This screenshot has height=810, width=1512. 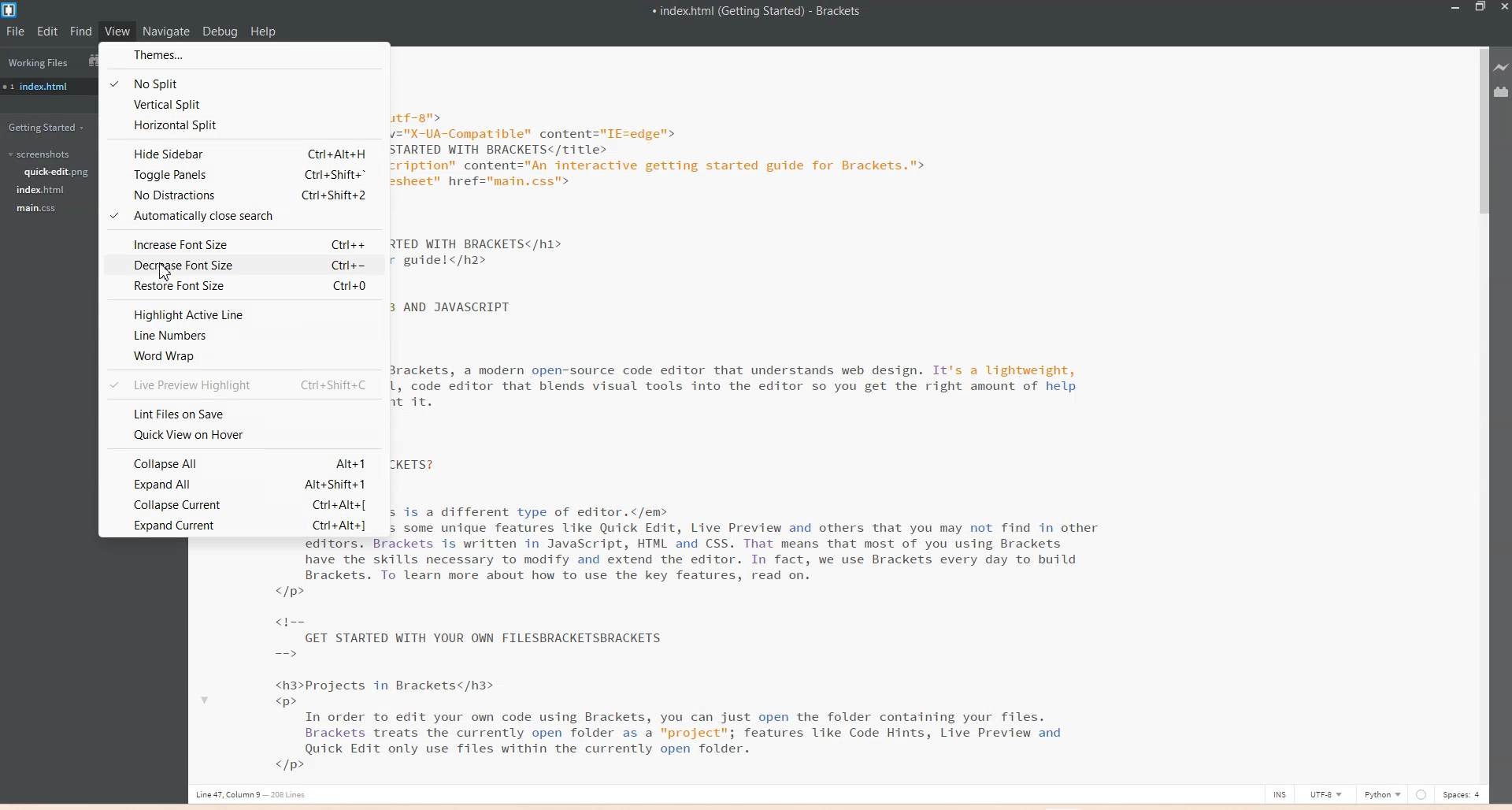 What do you see at coordinates (1456, 9) in the screenshot?
I see `Minimize ` at bounding box center [1456, 9].